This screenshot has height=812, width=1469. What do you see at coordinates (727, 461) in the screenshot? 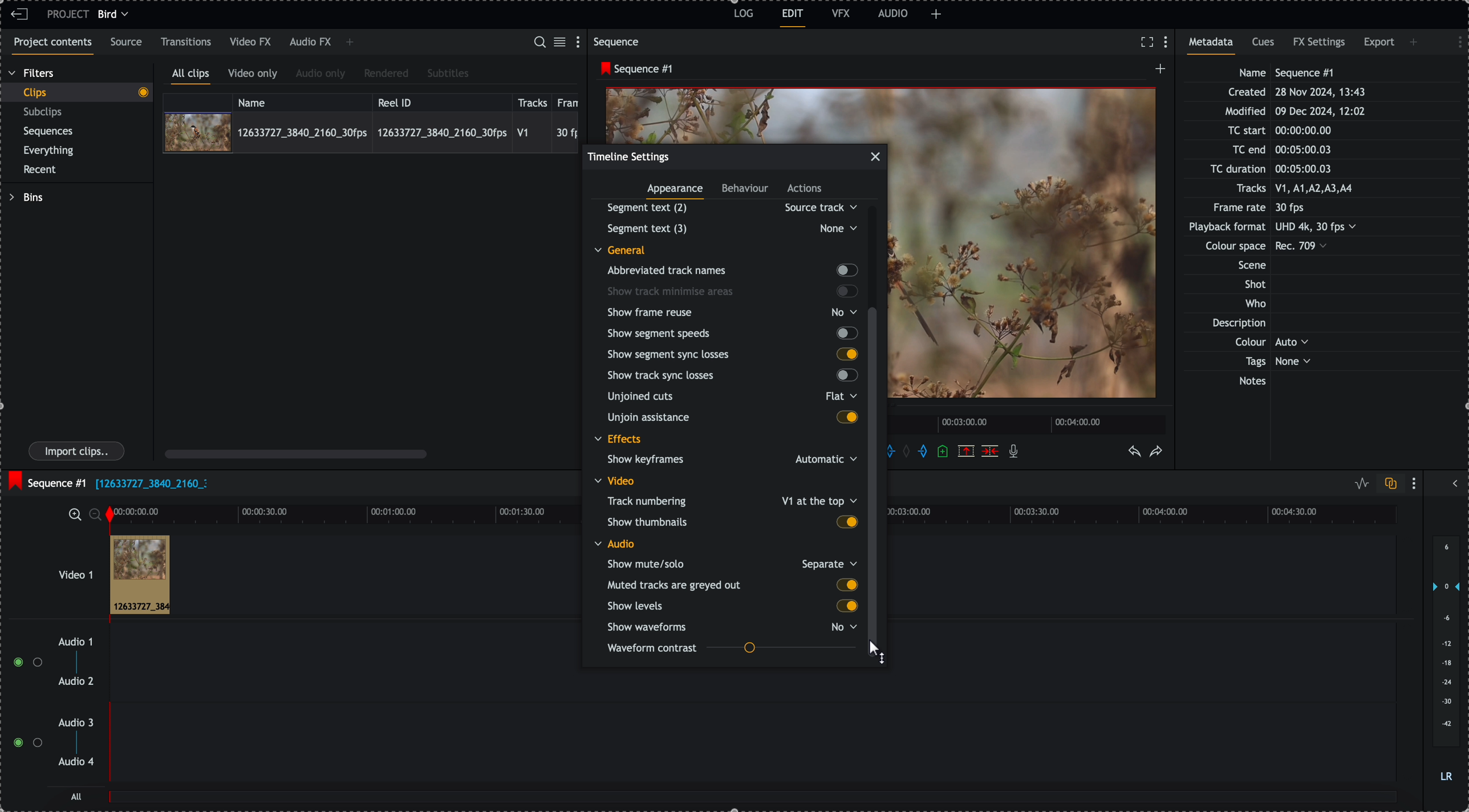
I see `show keyframes` at bounding box center [727, 461].